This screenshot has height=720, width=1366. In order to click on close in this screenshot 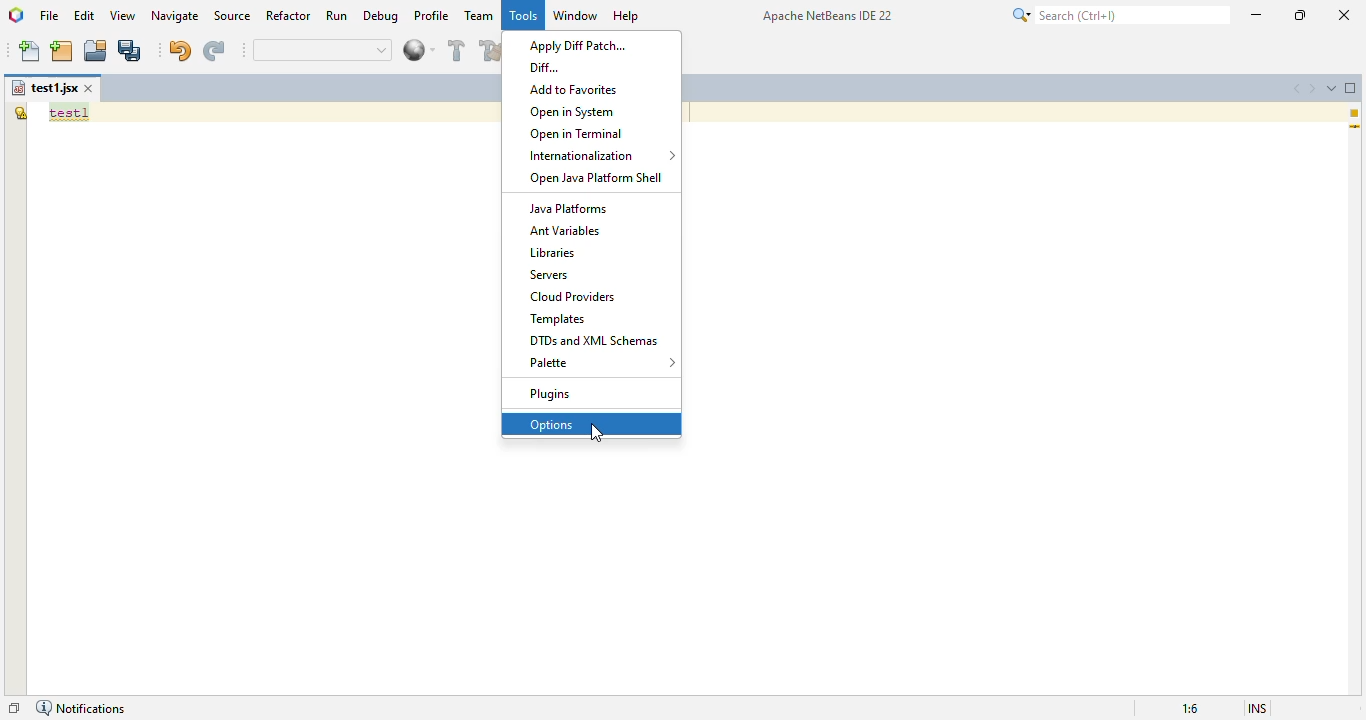, I will do `click(1343, 14)`.